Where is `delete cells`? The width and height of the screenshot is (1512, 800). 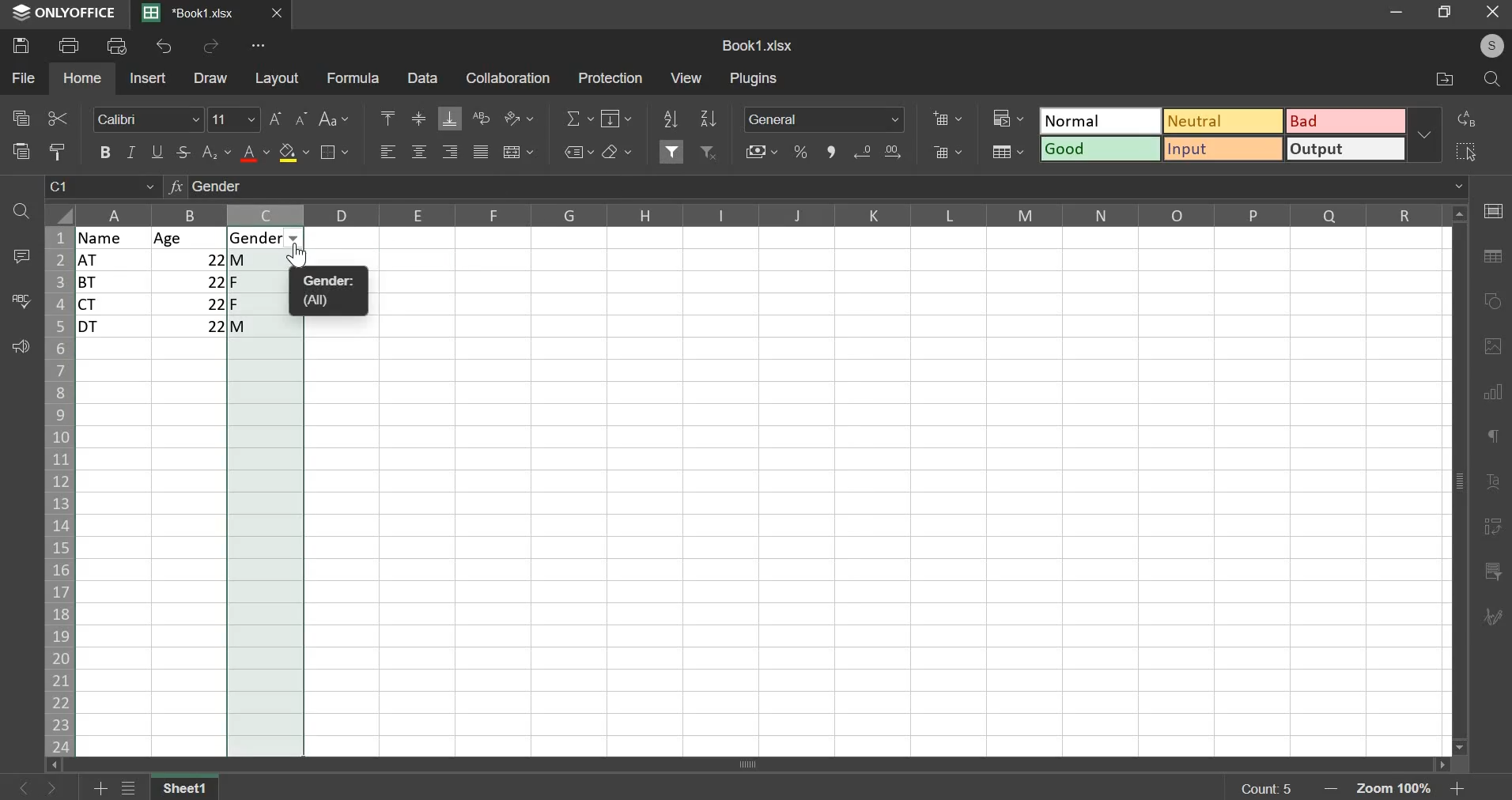 delete cells is located at coordinates (946, 152).